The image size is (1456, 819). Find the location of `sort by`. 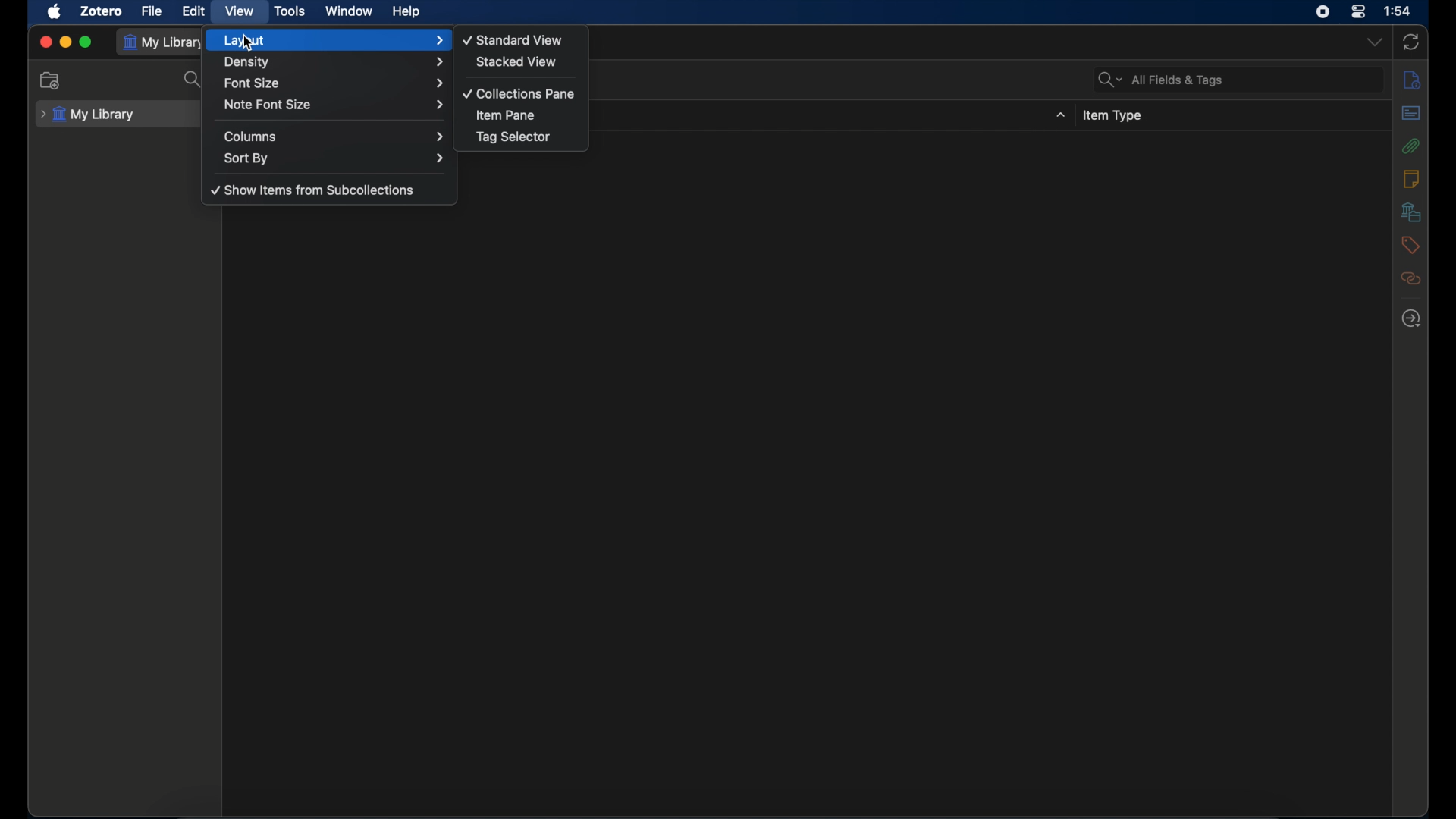

sort by is located at coordinates (336, 158).